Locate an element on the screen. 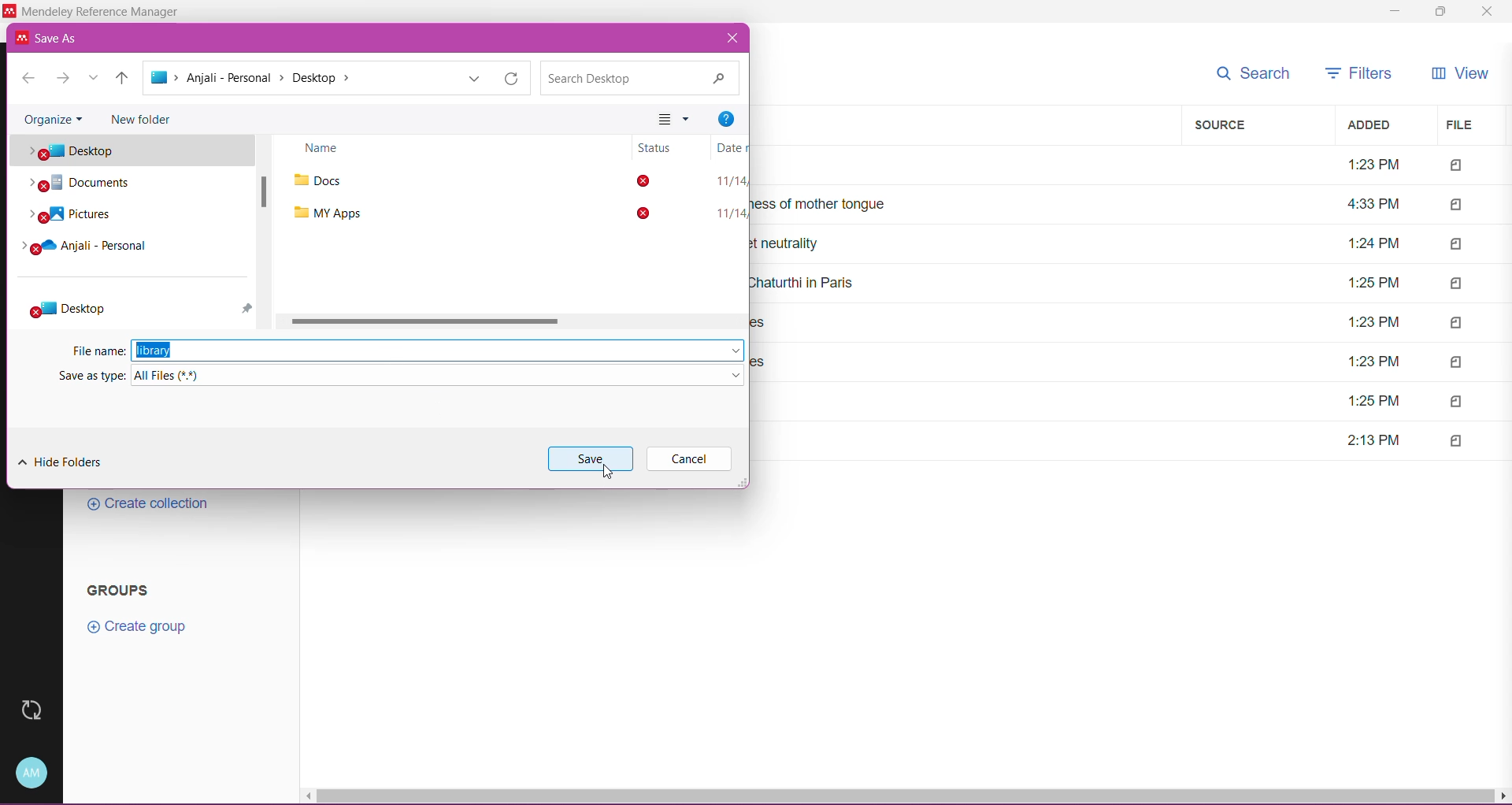  Recent Locations is located at coordinates (95, 78).